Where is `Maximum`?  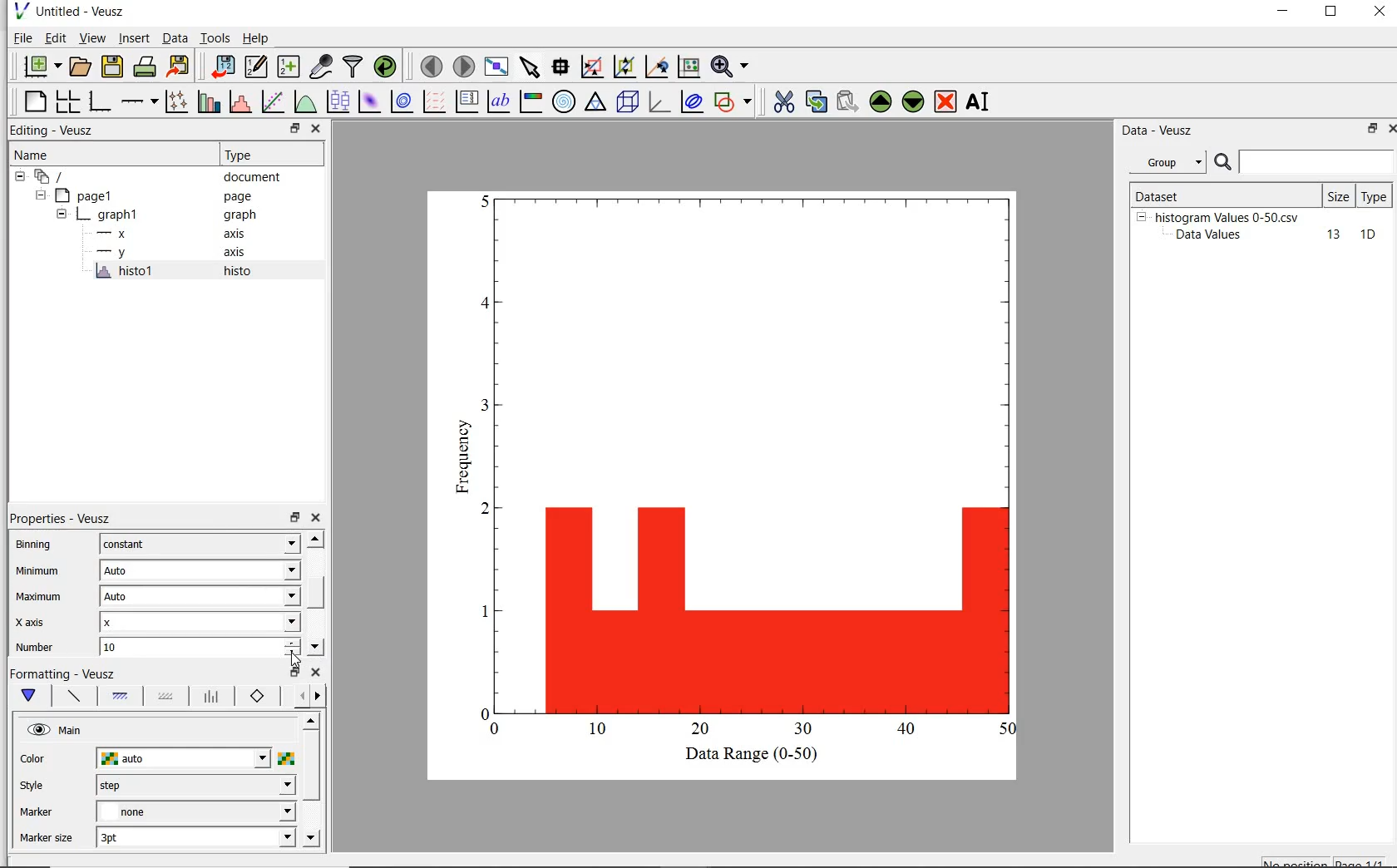 Maximum is located at coordinates (39, 598).